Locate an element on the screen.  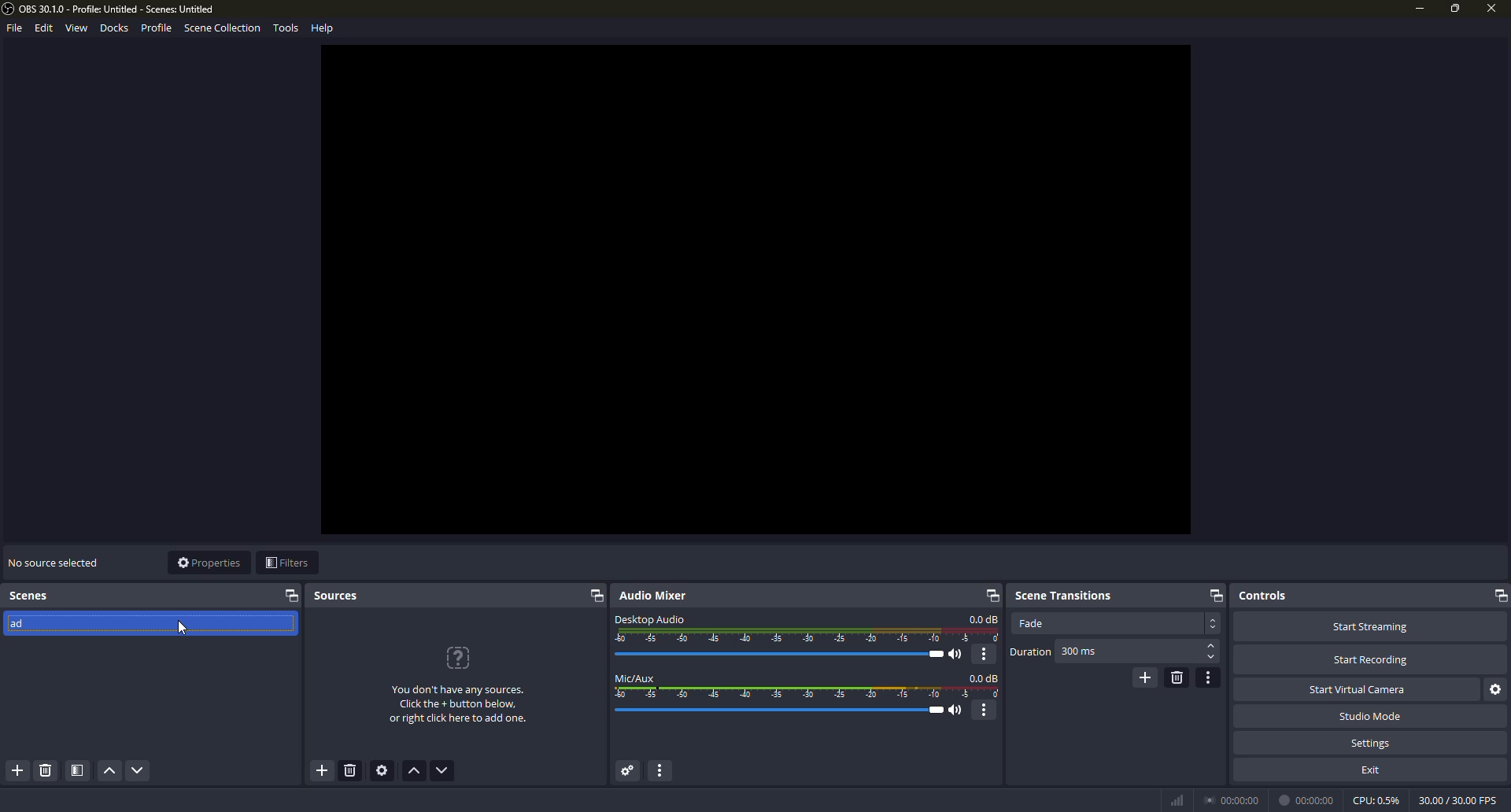
expand is located at coordinates (595, 597).